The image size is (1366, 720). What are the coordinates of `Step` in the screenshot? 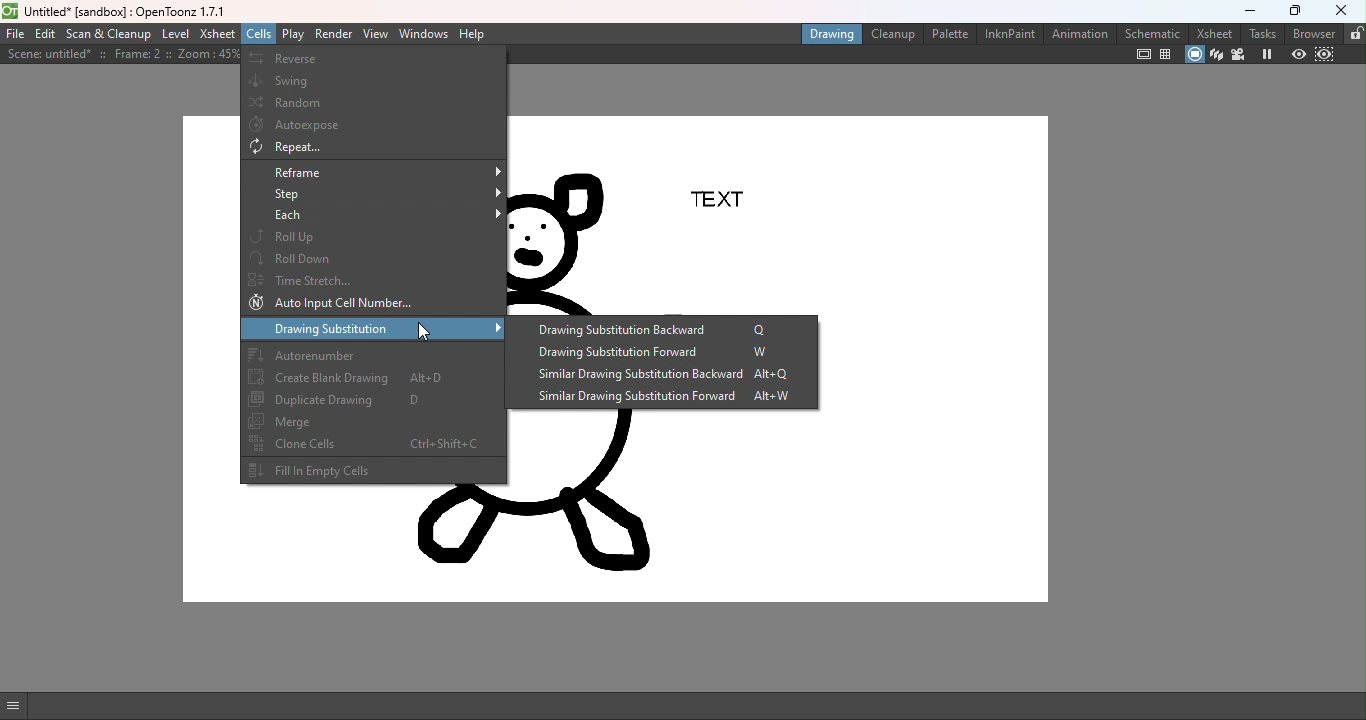 It's located at (373, 194).